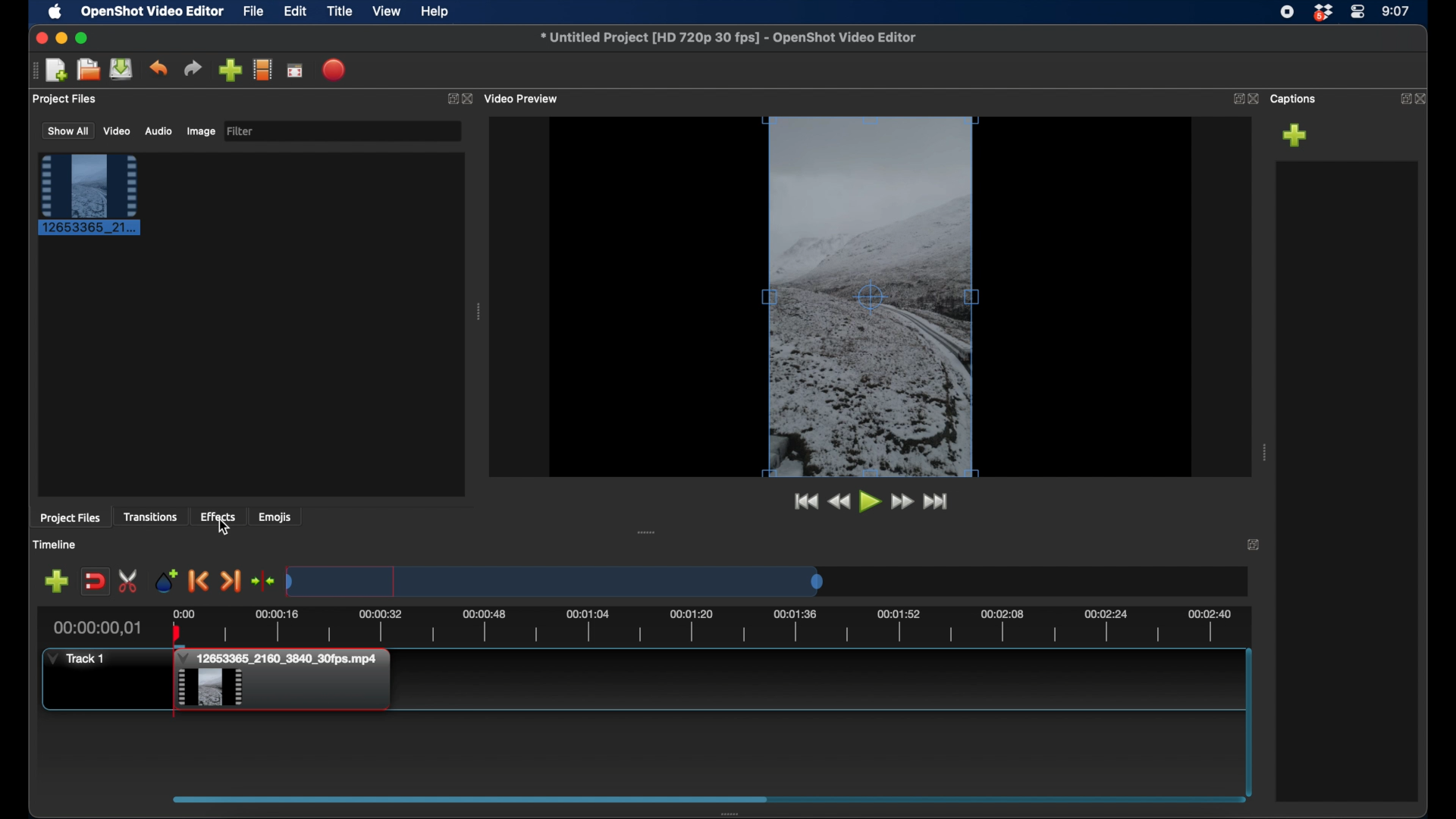  Describe the element at coordinates (226, 529) in the screenshot. I see `cursor` at that location.